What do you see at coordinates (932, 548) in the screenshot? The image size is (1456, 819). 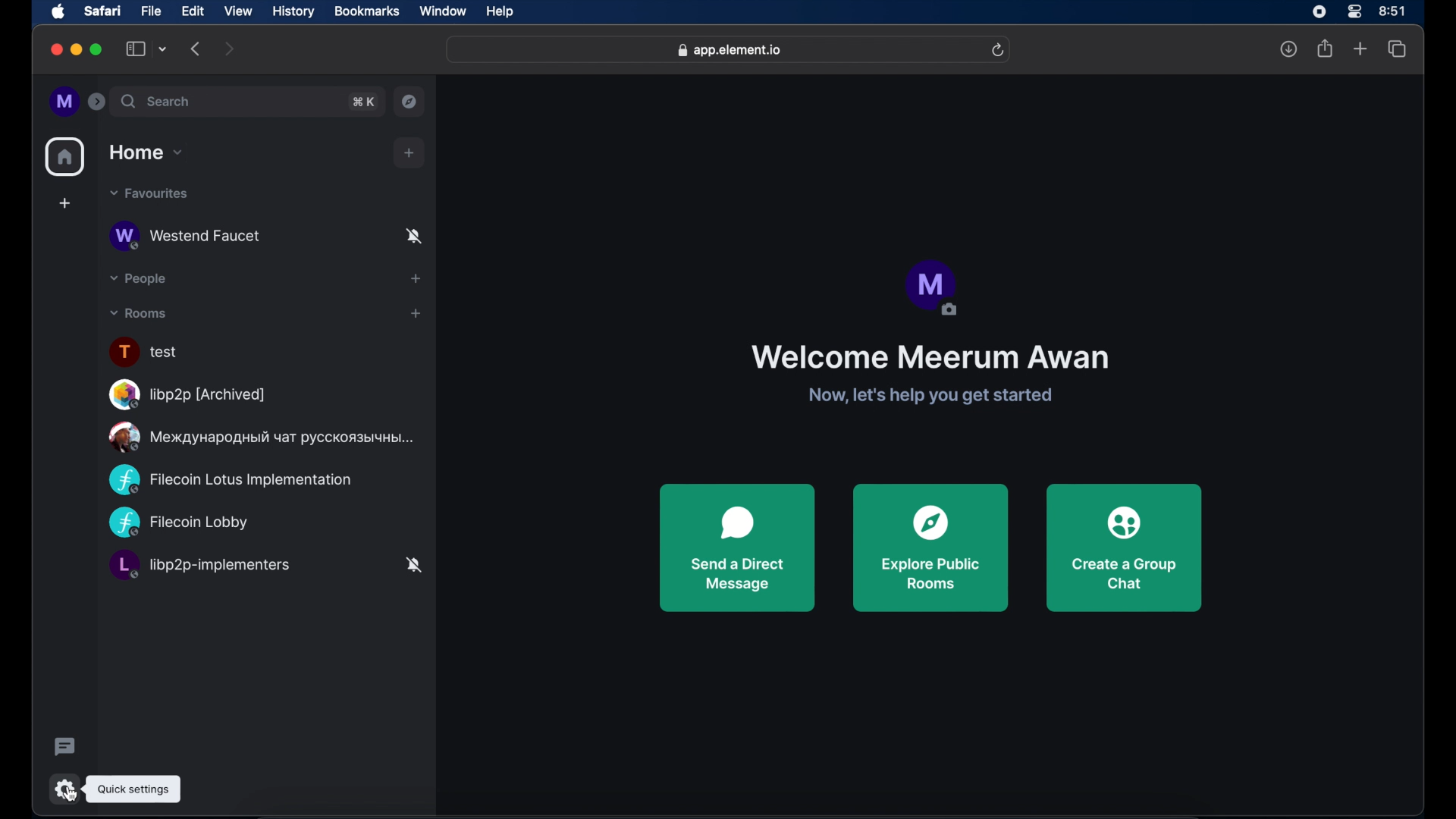 I see `explore public rooms` at bounding box center [932, 548].